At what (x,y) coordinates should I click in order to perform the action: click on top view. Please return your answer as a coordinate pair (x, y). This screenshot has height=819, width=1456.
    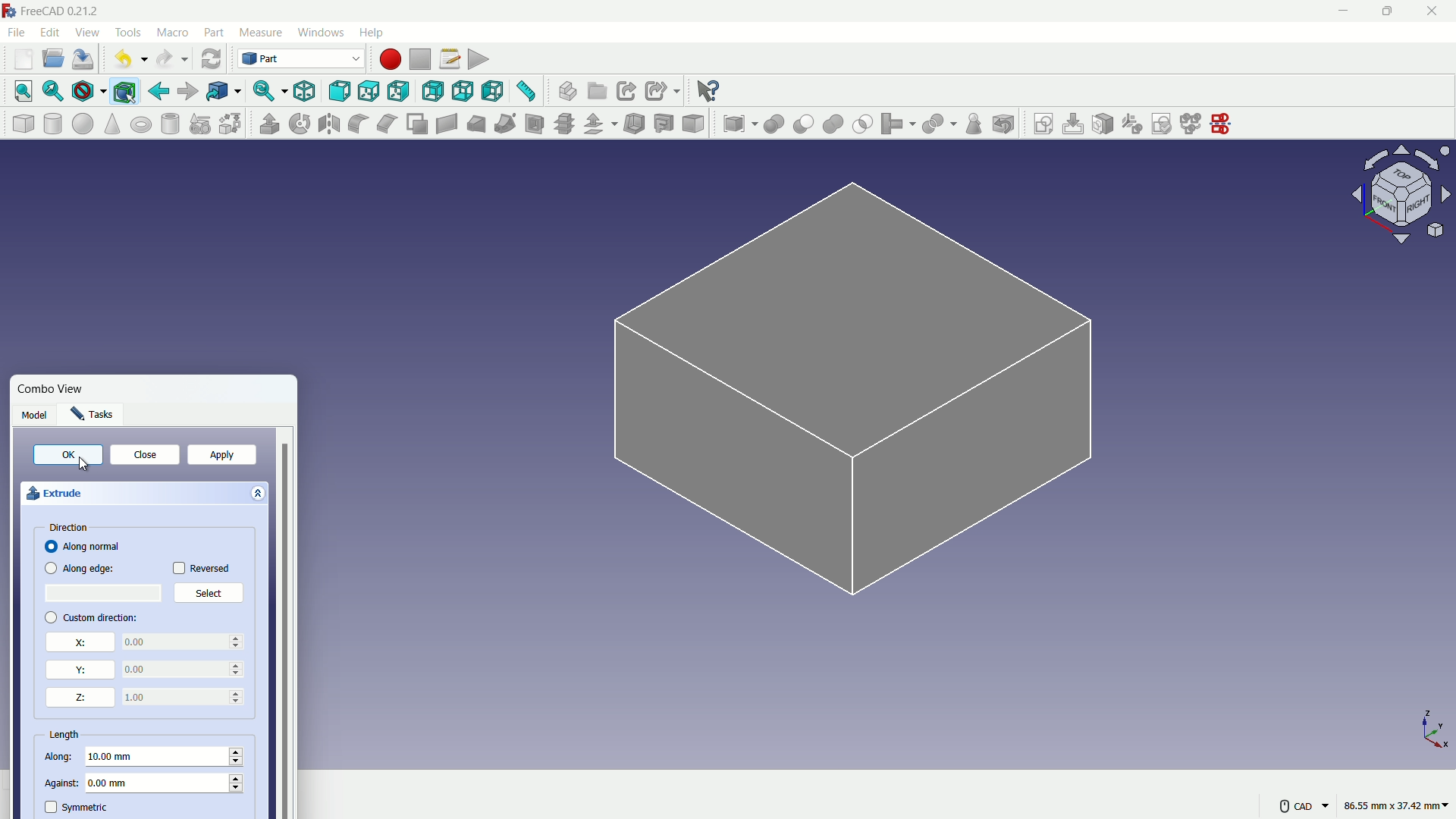
    Looking at the image, I should click on (368, 90).